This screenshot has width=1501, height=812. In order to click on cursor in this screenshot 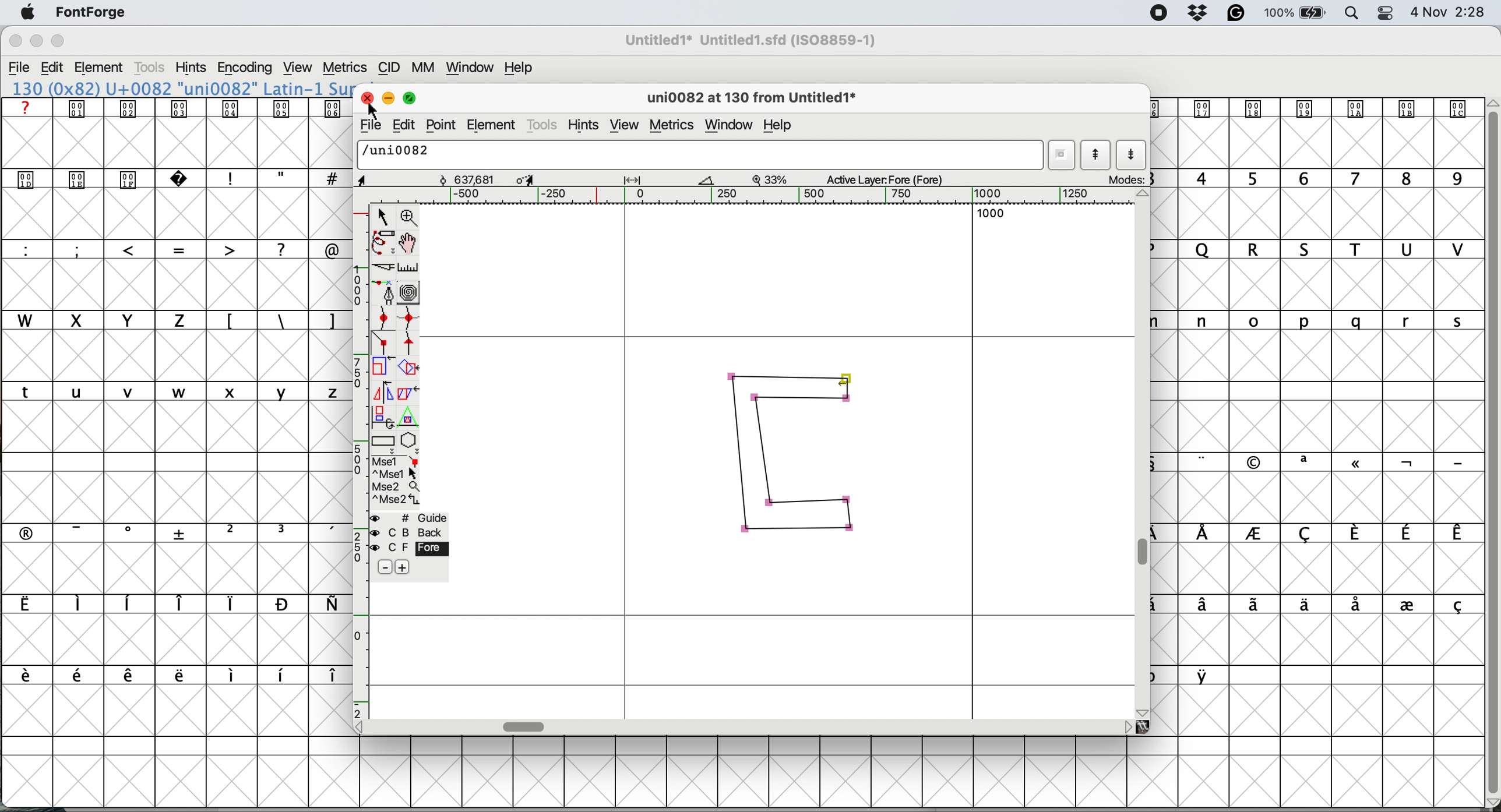, I will do `click(375, 111)`.